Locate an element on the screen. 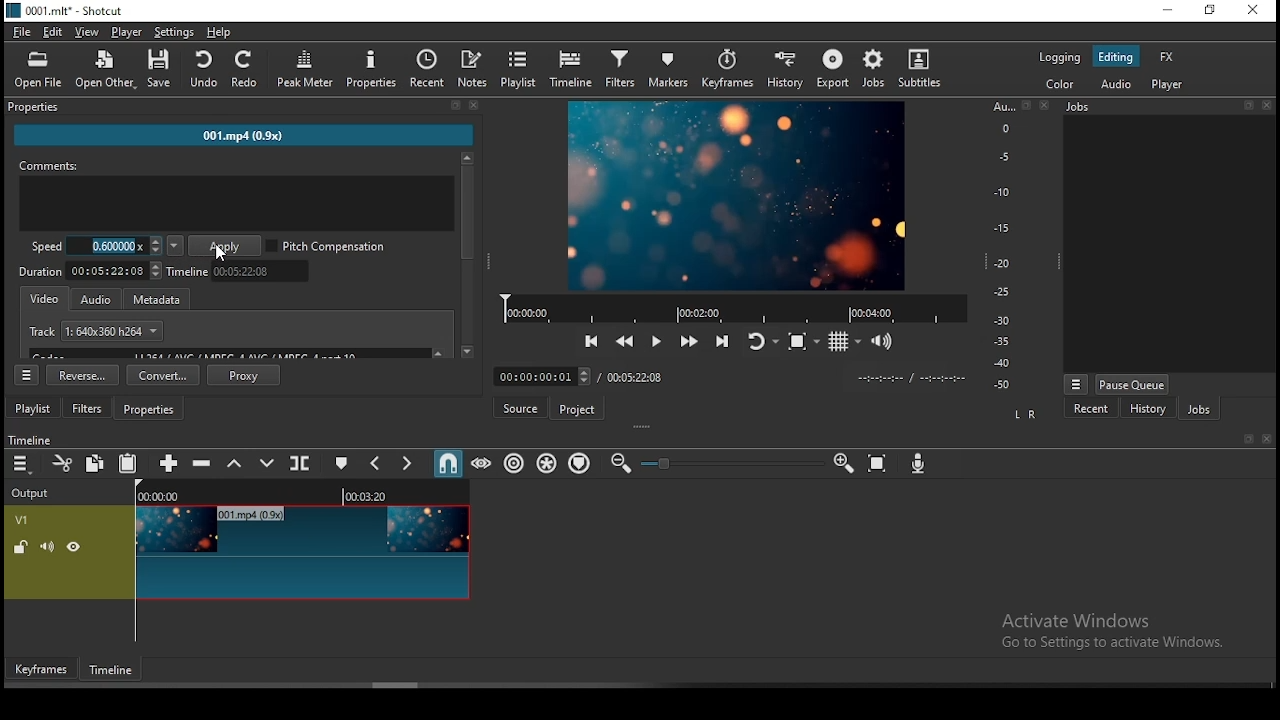  toggle zoom is located at coordinates (799, 342).